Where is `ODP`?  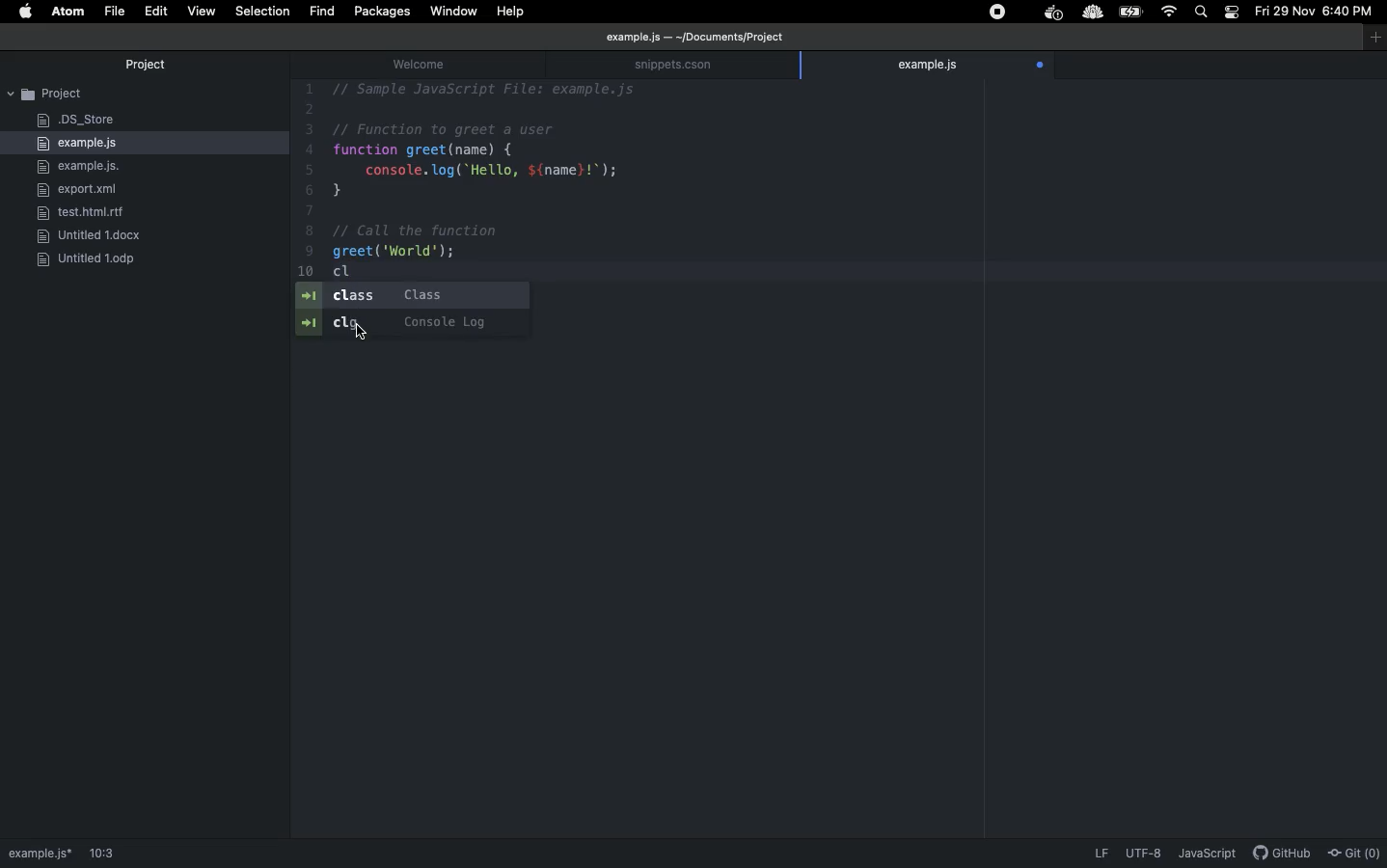 ODP is located at coordinates (95, 258).